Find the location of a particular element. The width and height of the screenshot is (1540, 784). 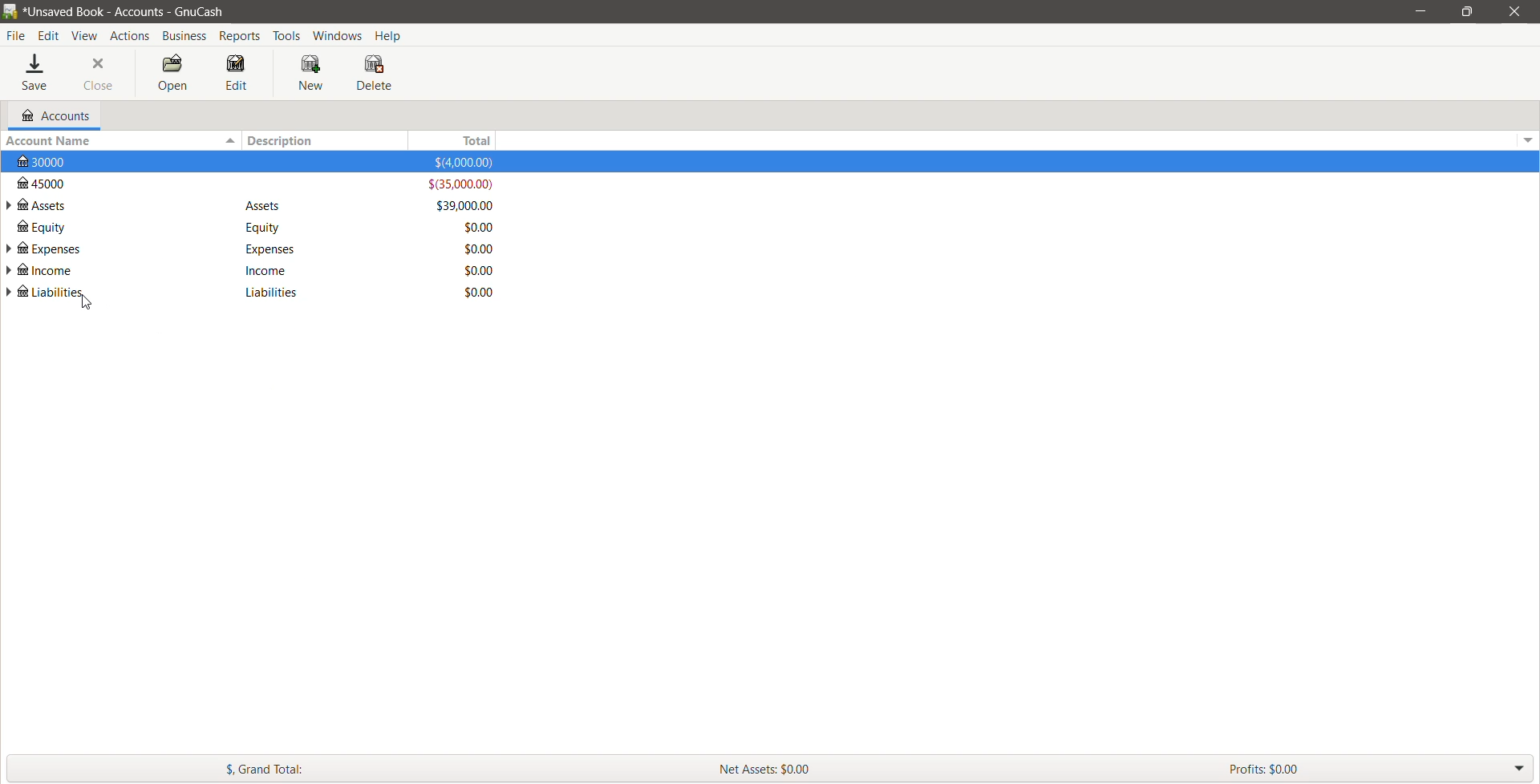

View is located at coordinates (85, 36).